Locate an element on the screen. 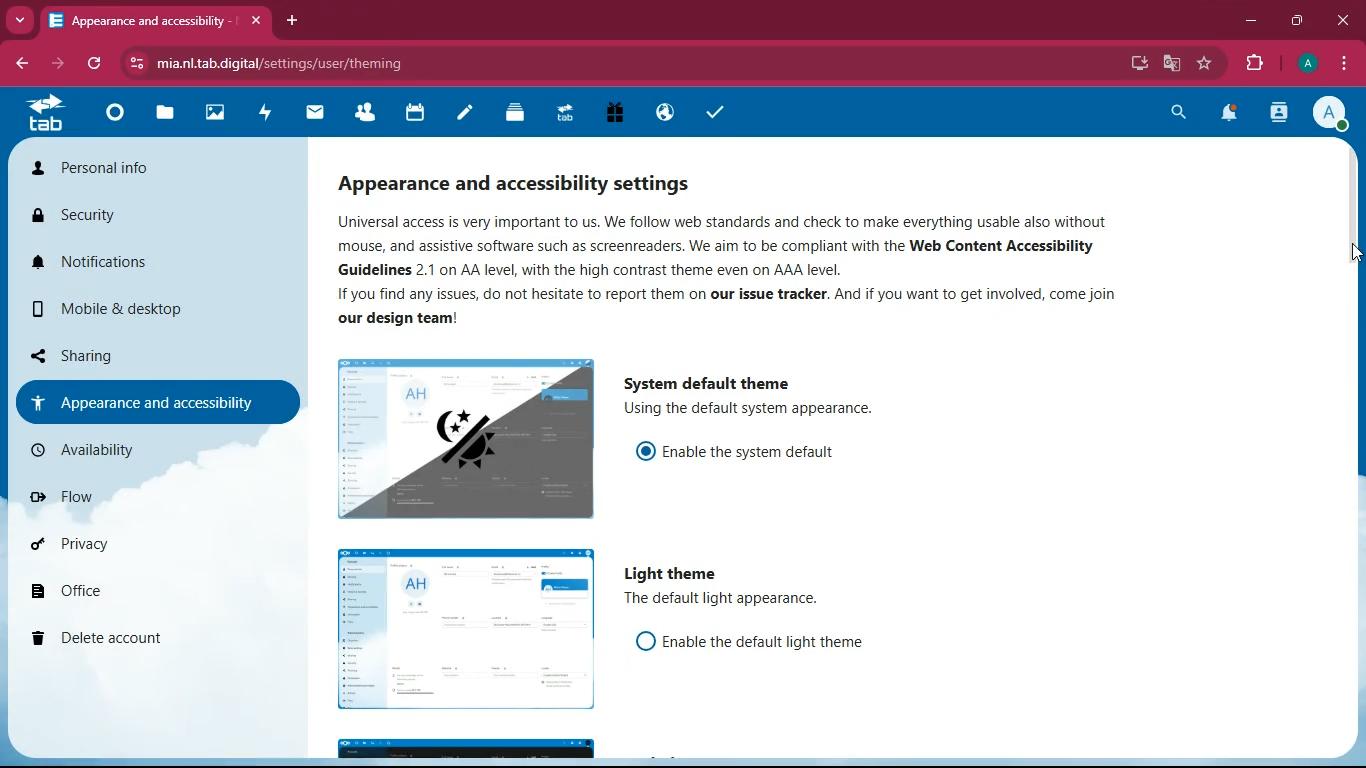  activity is located at coordinates (1278, 116).